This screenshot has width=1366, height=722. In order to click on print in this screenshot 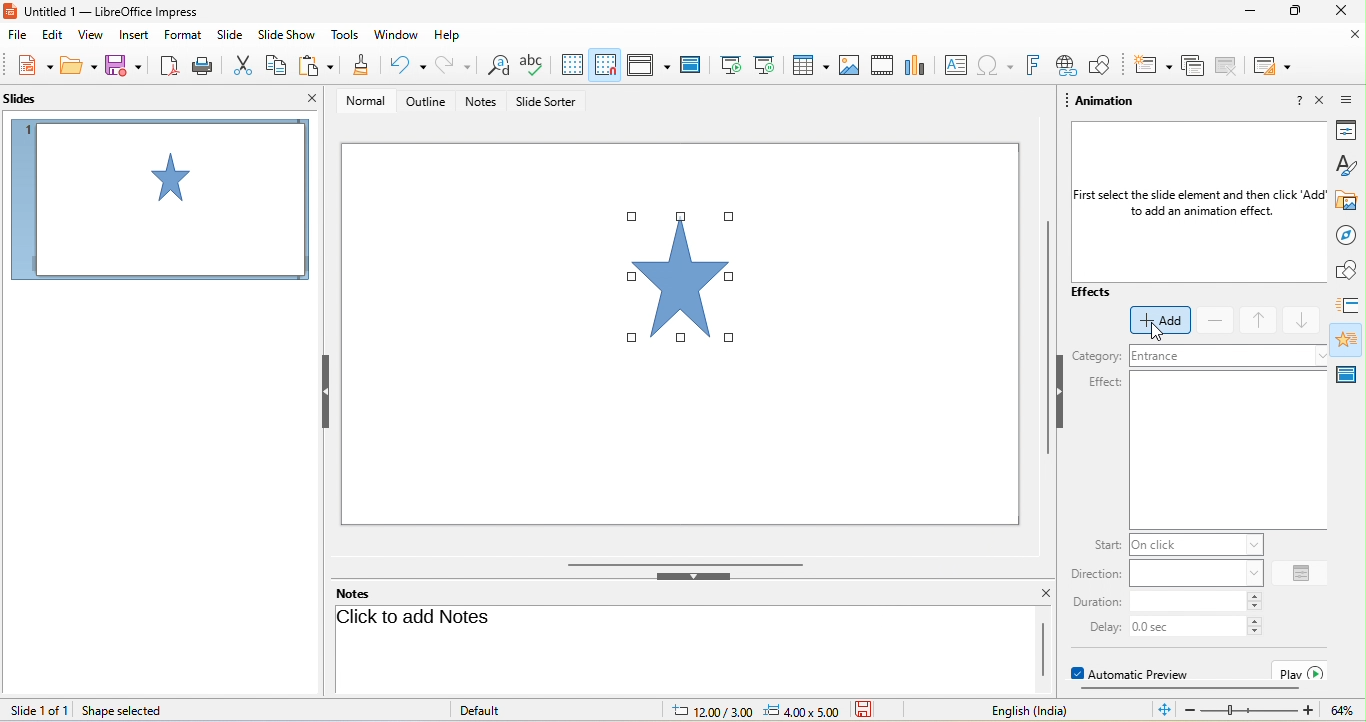, I will do `click(207, 65)`.